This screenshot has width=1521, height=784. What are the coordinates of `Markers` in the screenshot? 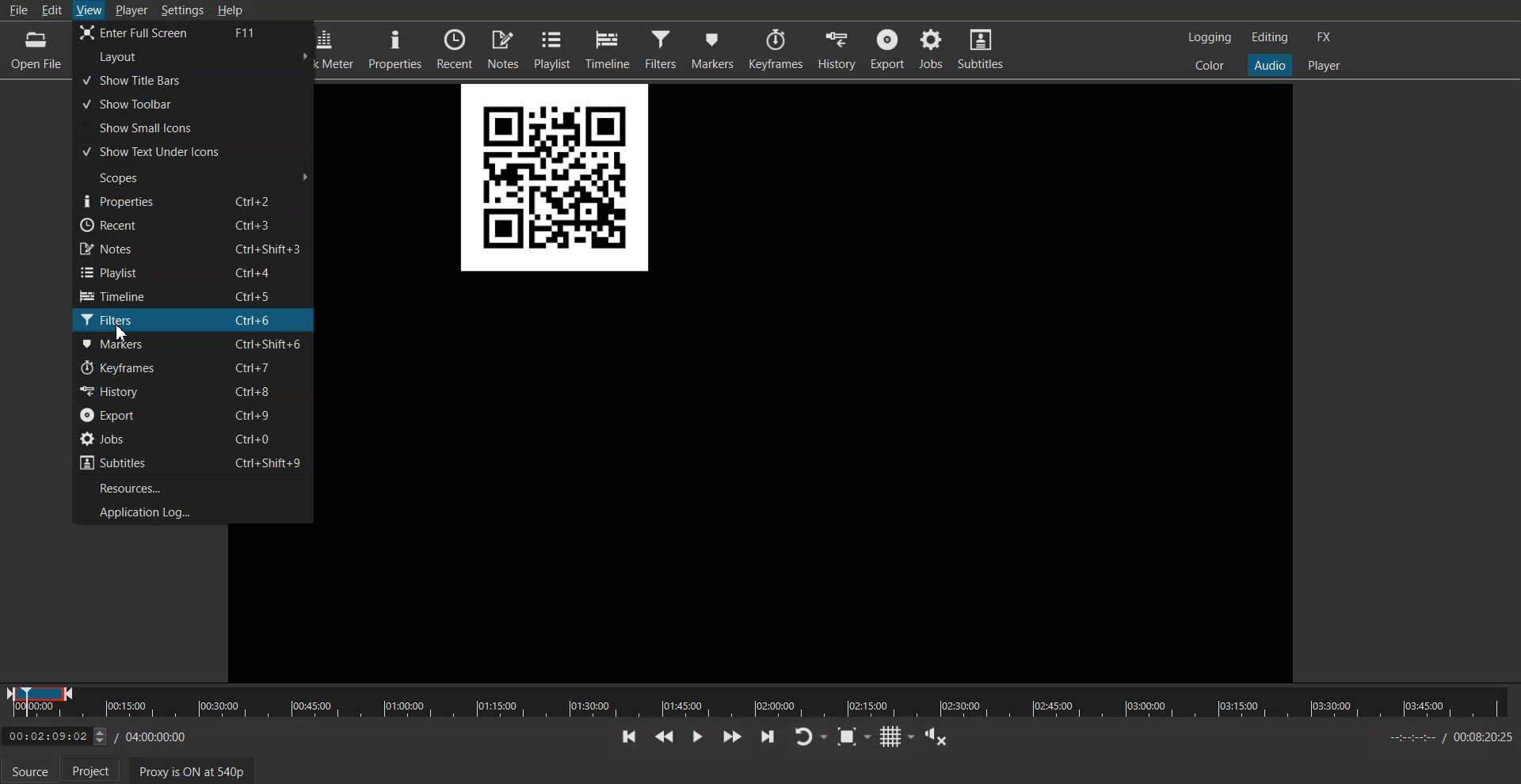 It's located at (714, 48).